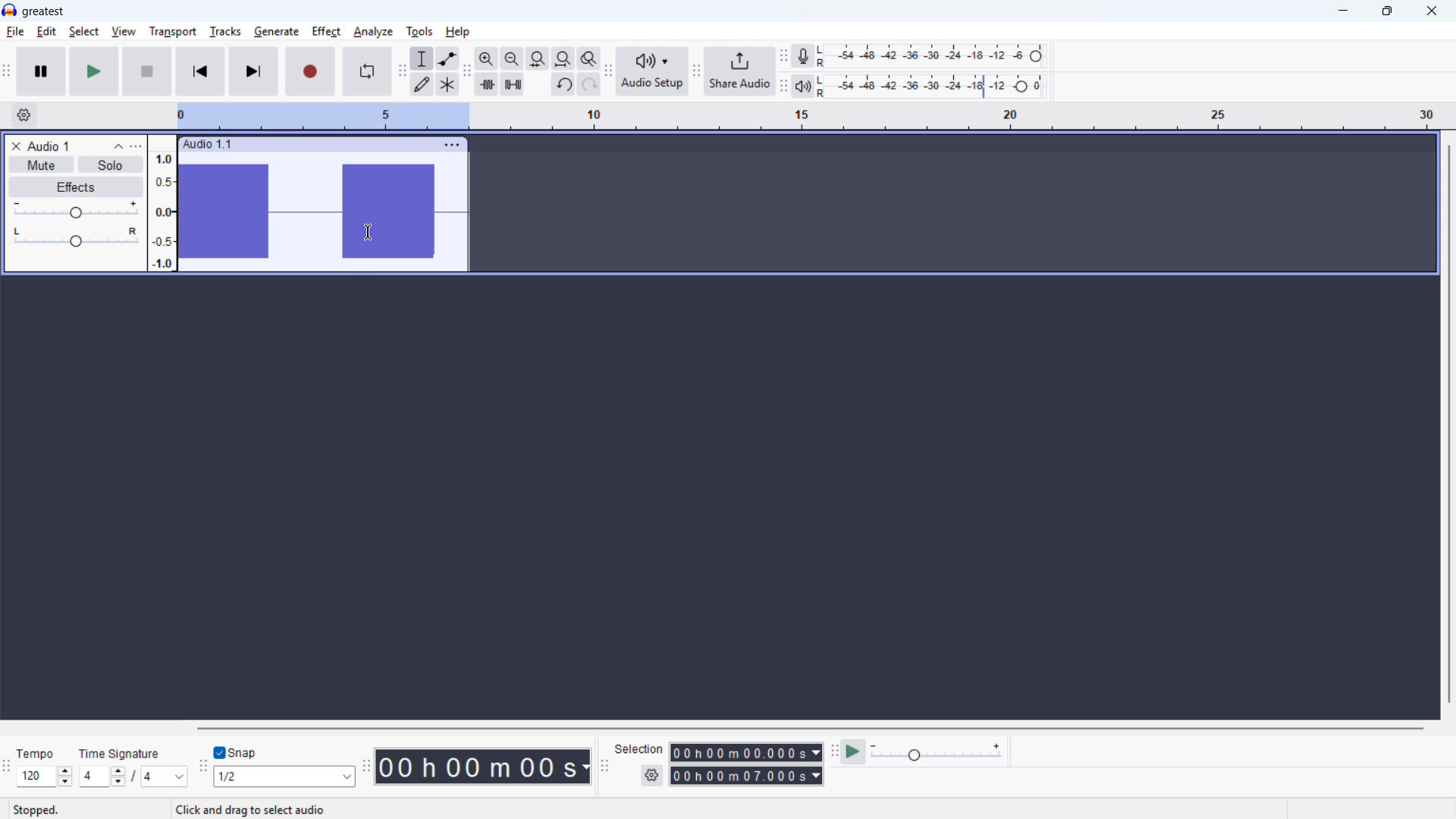 The width and height of the screenshot is (1456, 819). Describe the element at coordinates (124, 33) in the screenshot. I see `view` at that location.